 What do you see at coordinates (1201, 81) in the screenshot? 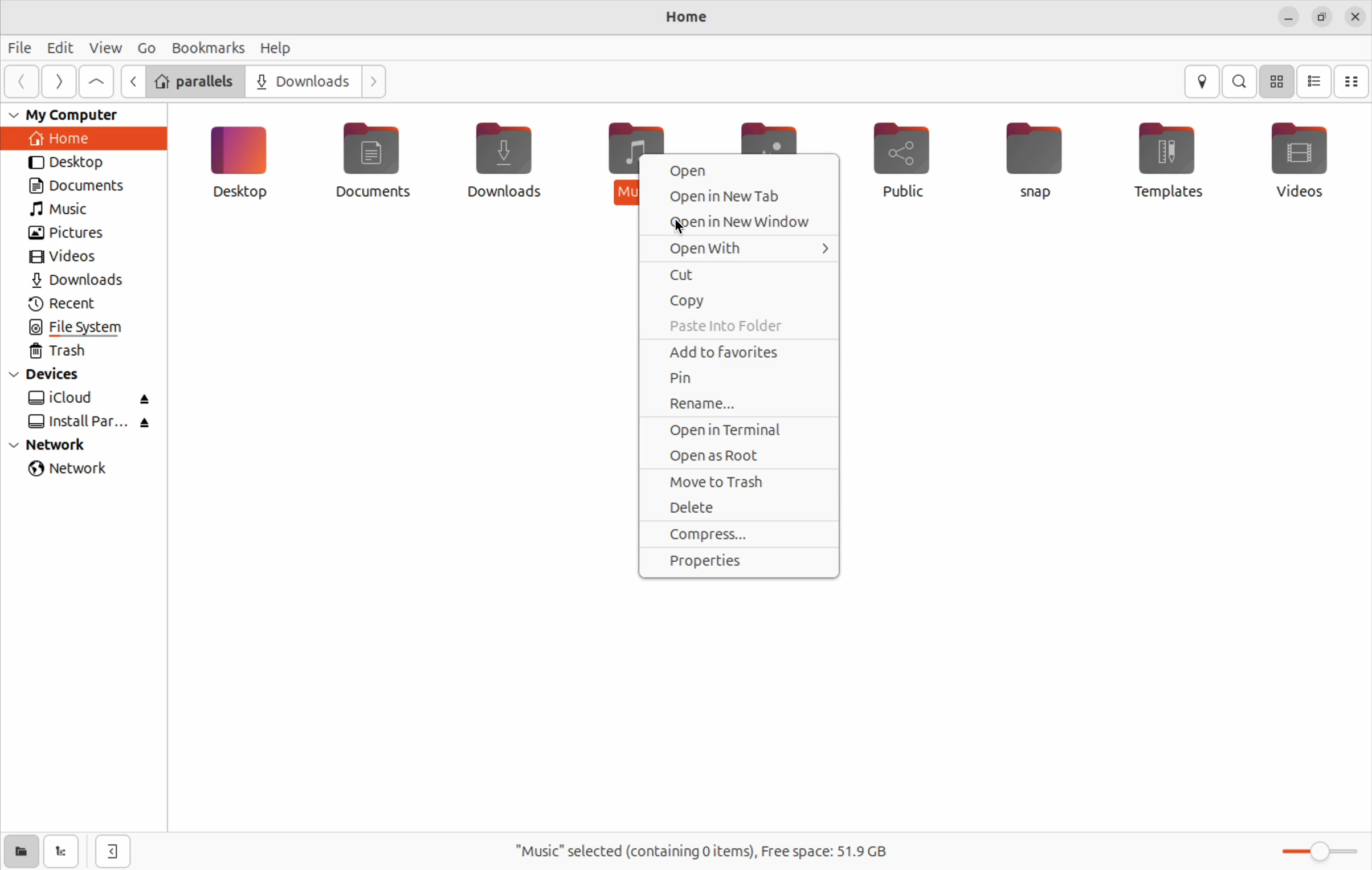
I see `location` at bounding box center [1201, 81].